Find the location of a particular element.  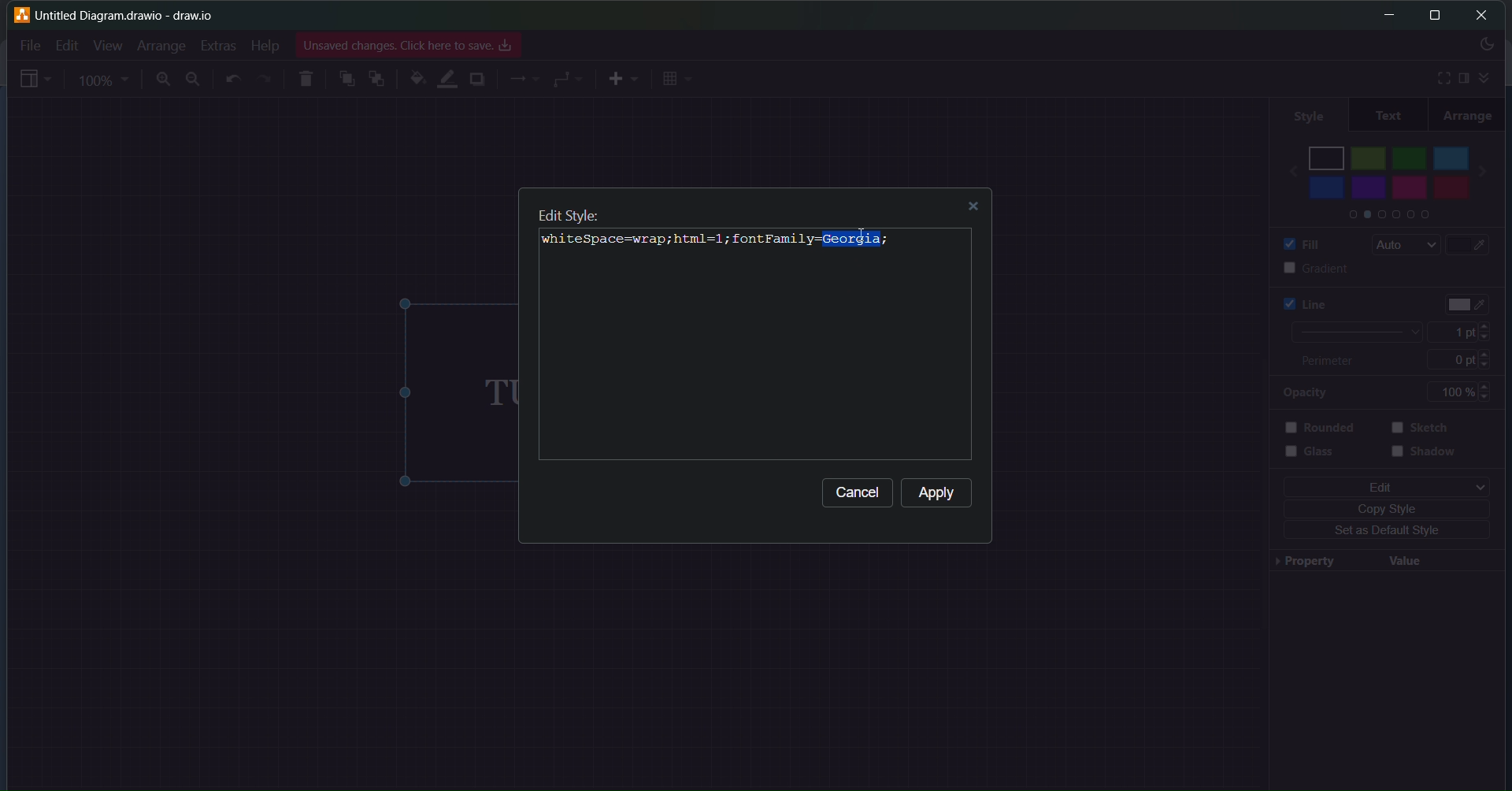

View is located at coordinates (107, 45).